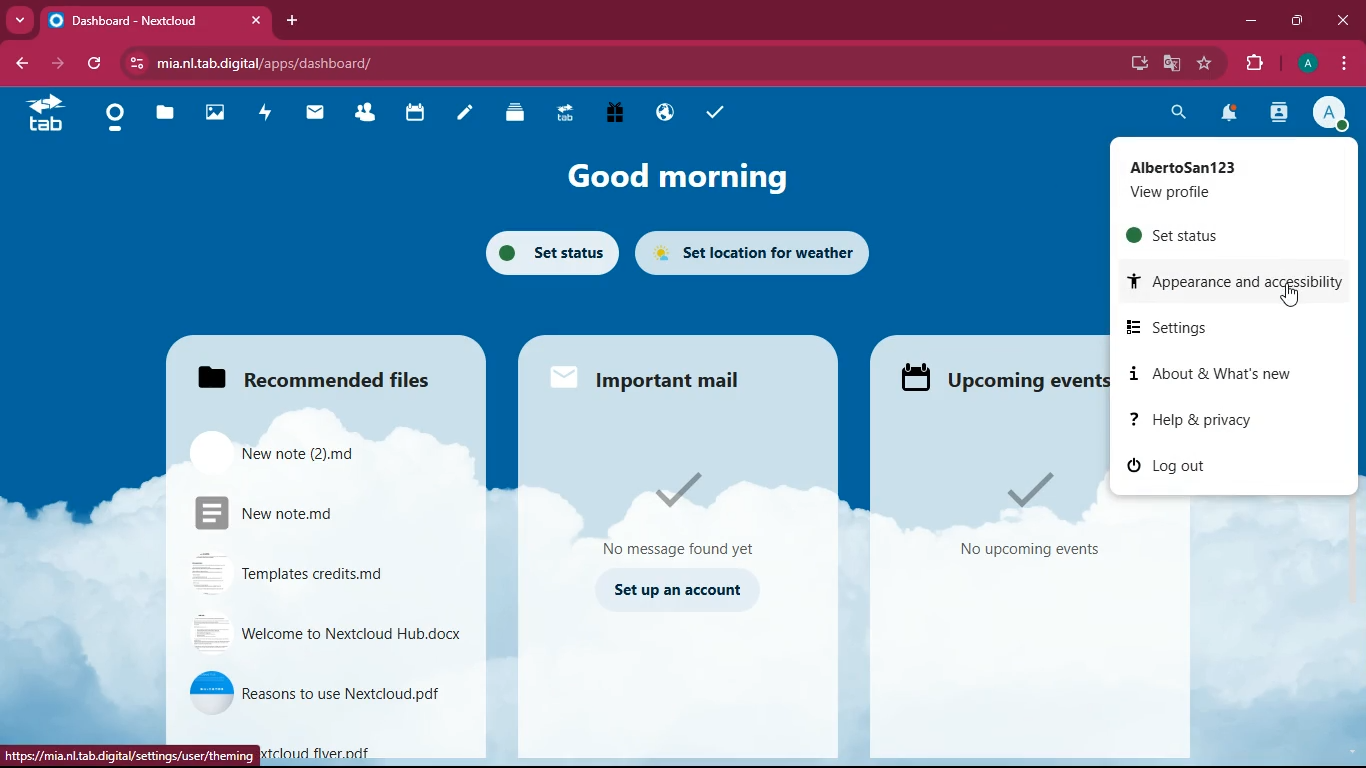  What do you see at coordinates (709, 112) in the screenshot?
I see `tasks` at bounding box center [709, 112].